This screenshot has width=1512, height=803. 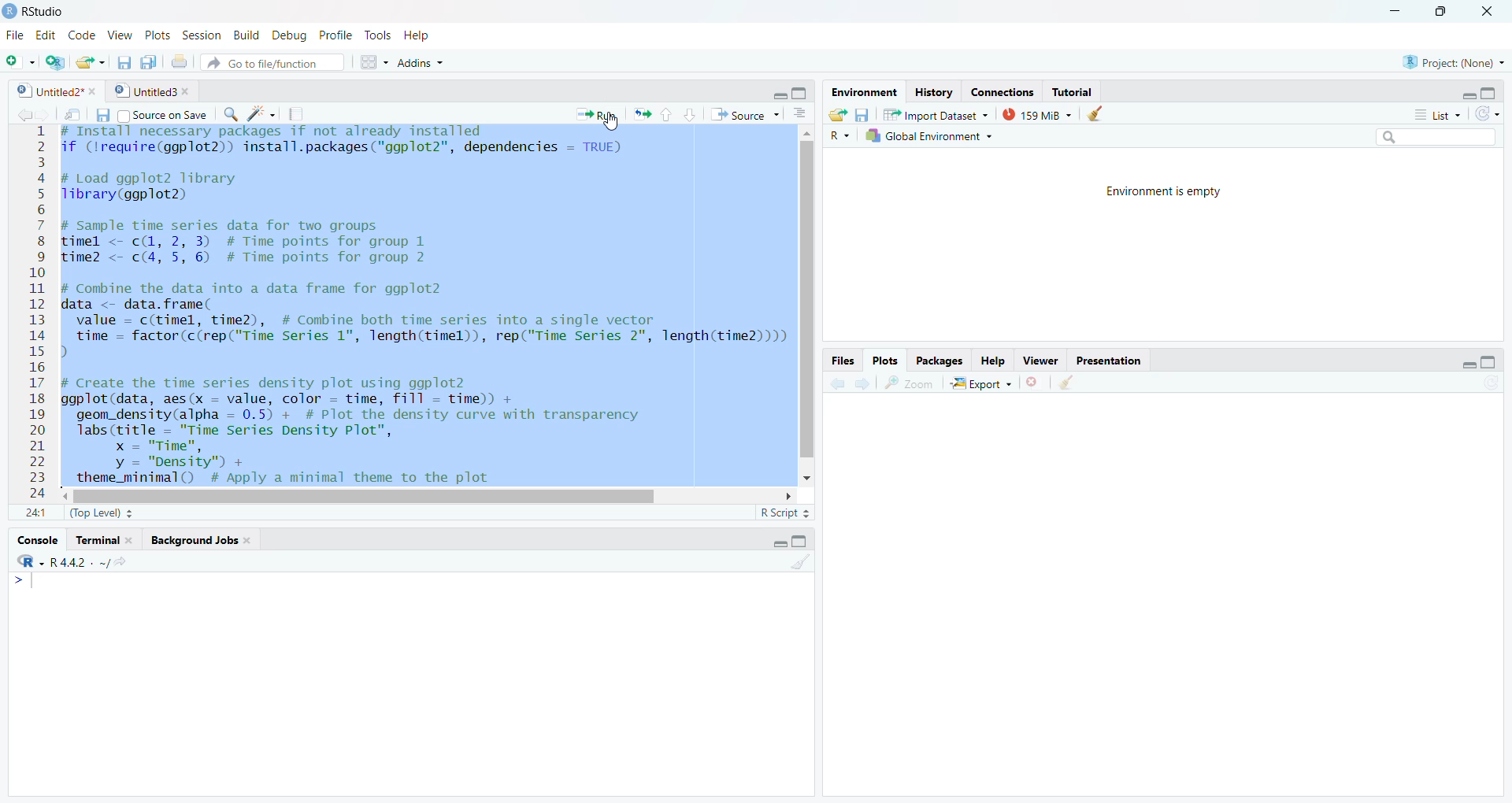 I want to click on Workspace panes, so click(x=372, y=62).